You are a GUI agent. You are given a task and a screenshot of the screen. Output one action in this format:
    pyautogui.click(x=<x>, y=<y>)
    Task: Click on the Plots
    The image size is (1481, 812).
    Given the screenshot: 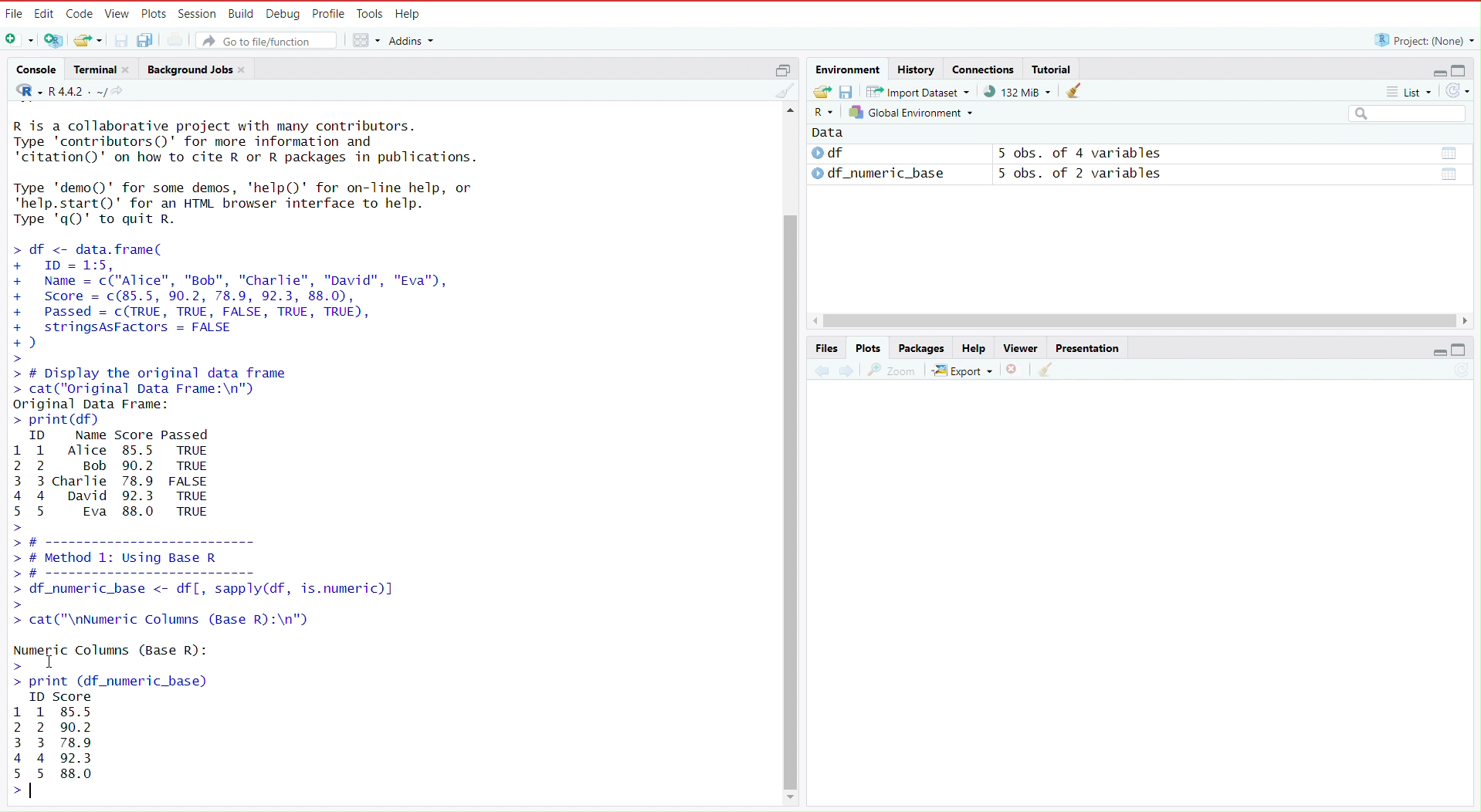 What is the action you would take?
    pyautogui.click(x=866, y=349)
    